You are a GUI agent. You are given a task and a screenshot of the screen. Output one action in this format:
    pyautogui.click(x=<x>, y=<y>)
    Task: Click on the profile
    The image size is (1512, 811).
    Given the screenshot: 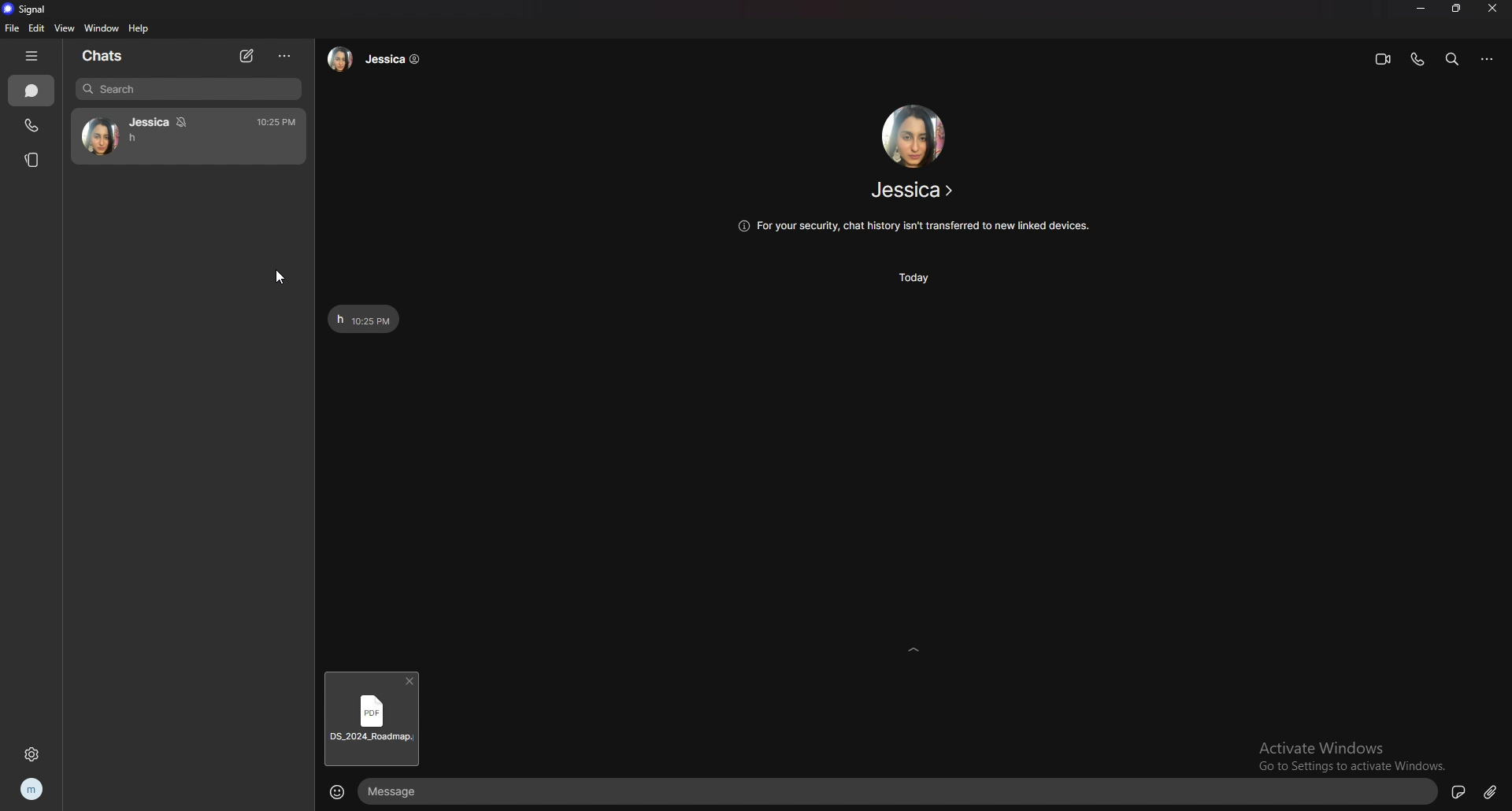 What is the action you would take?
    pyautogui.click(x=32, y=791)
    